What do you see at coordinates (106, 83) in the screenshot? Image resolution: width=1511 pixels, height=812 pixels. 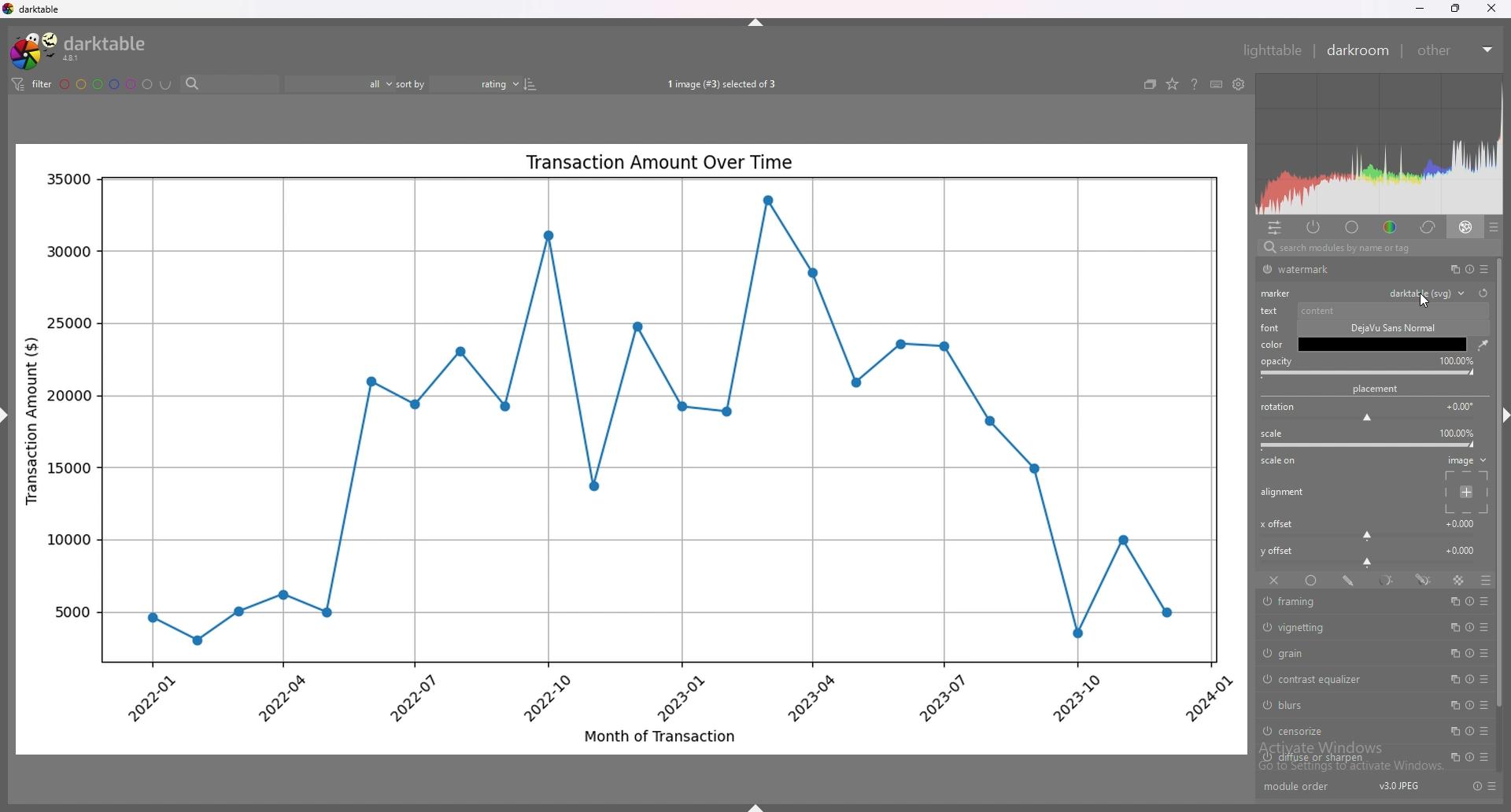 I see `color labels` at bounding box center [106, 83].